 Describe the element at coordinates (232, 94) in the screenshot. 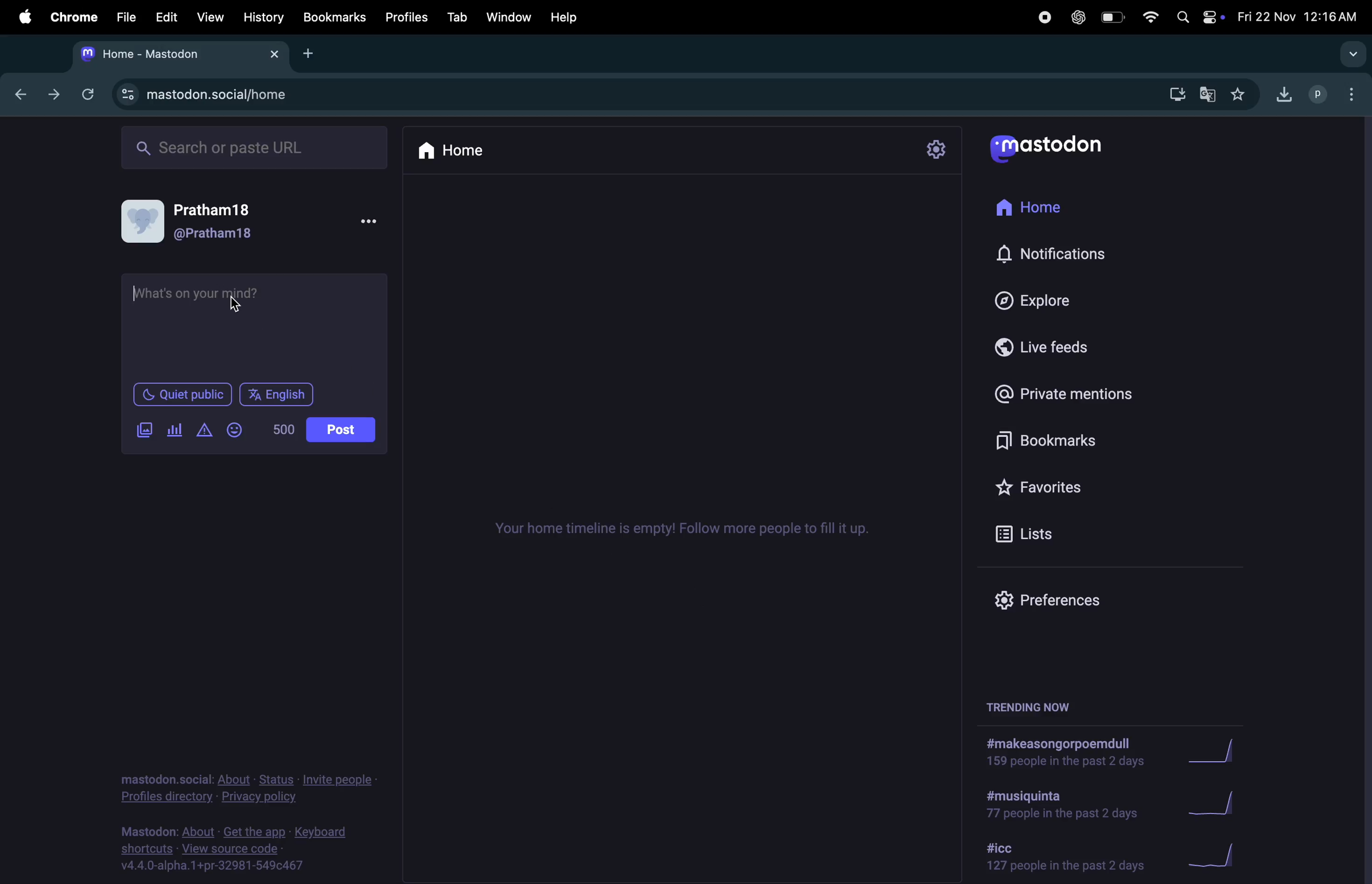

I see `mastodon url` at that location.